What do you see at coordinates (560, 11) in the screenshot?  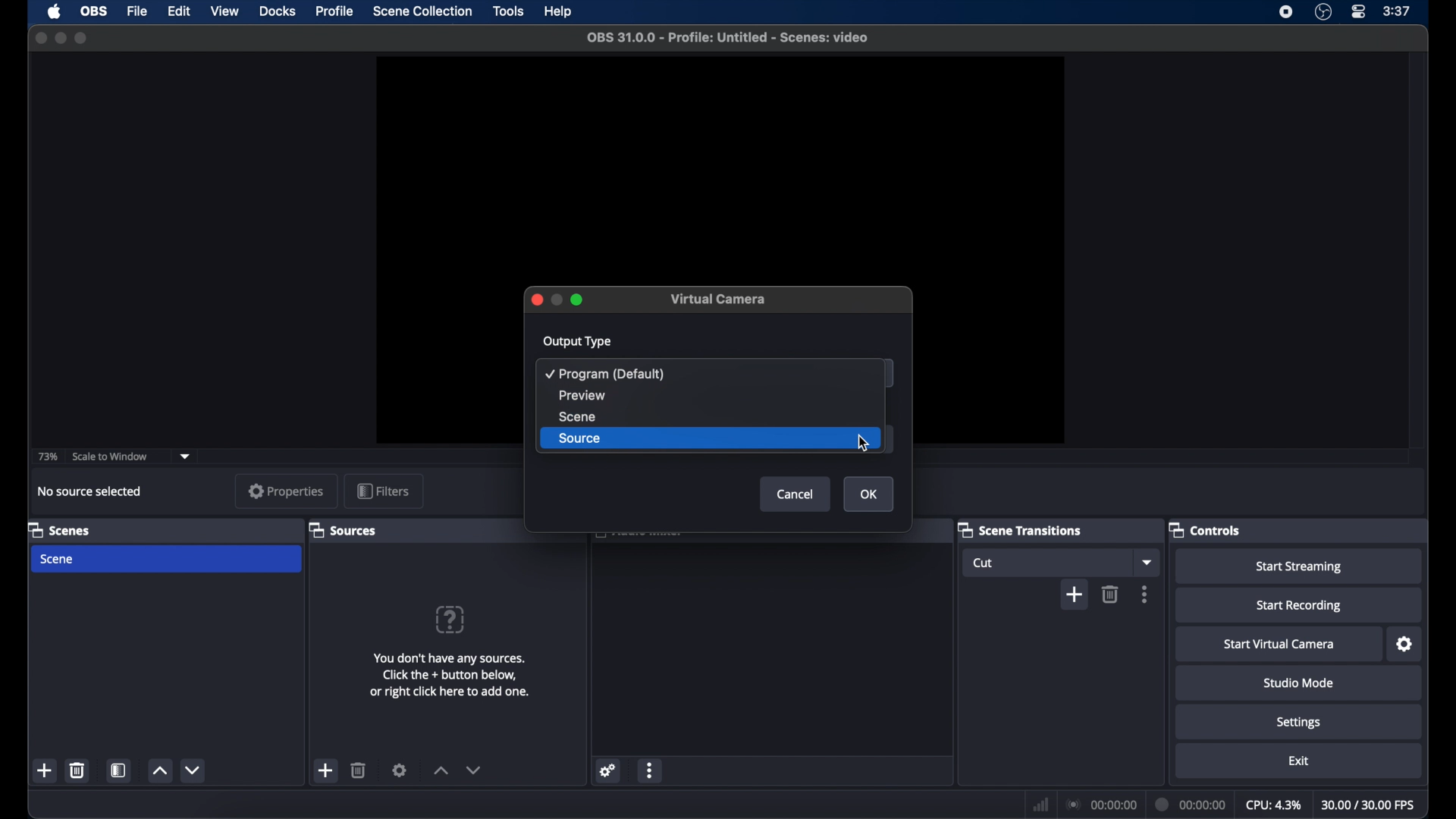 I see `help` at bounding box center [560, 11].